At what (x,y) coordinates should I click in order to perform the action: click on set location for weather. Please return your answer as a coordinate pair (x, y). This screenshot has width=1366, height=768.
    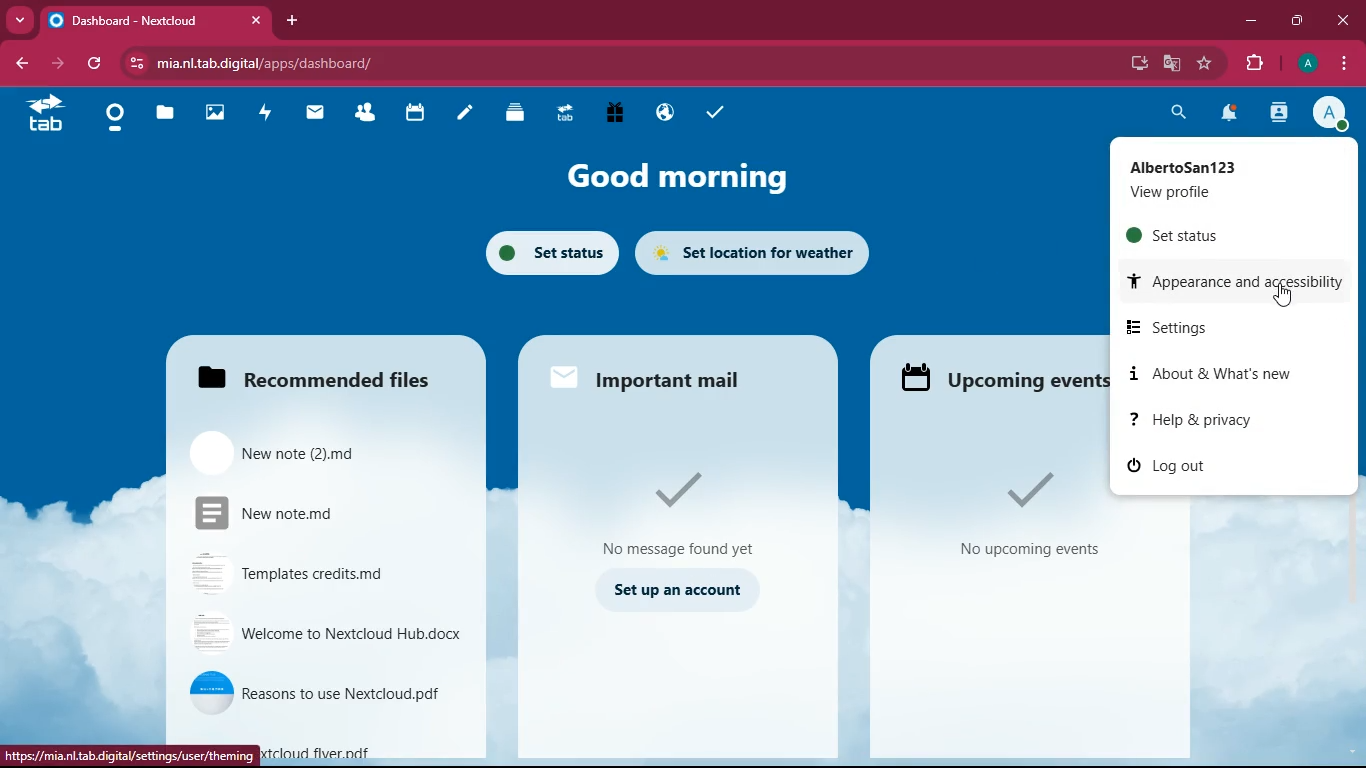
    Looking at the image, I should click on (759, 250).